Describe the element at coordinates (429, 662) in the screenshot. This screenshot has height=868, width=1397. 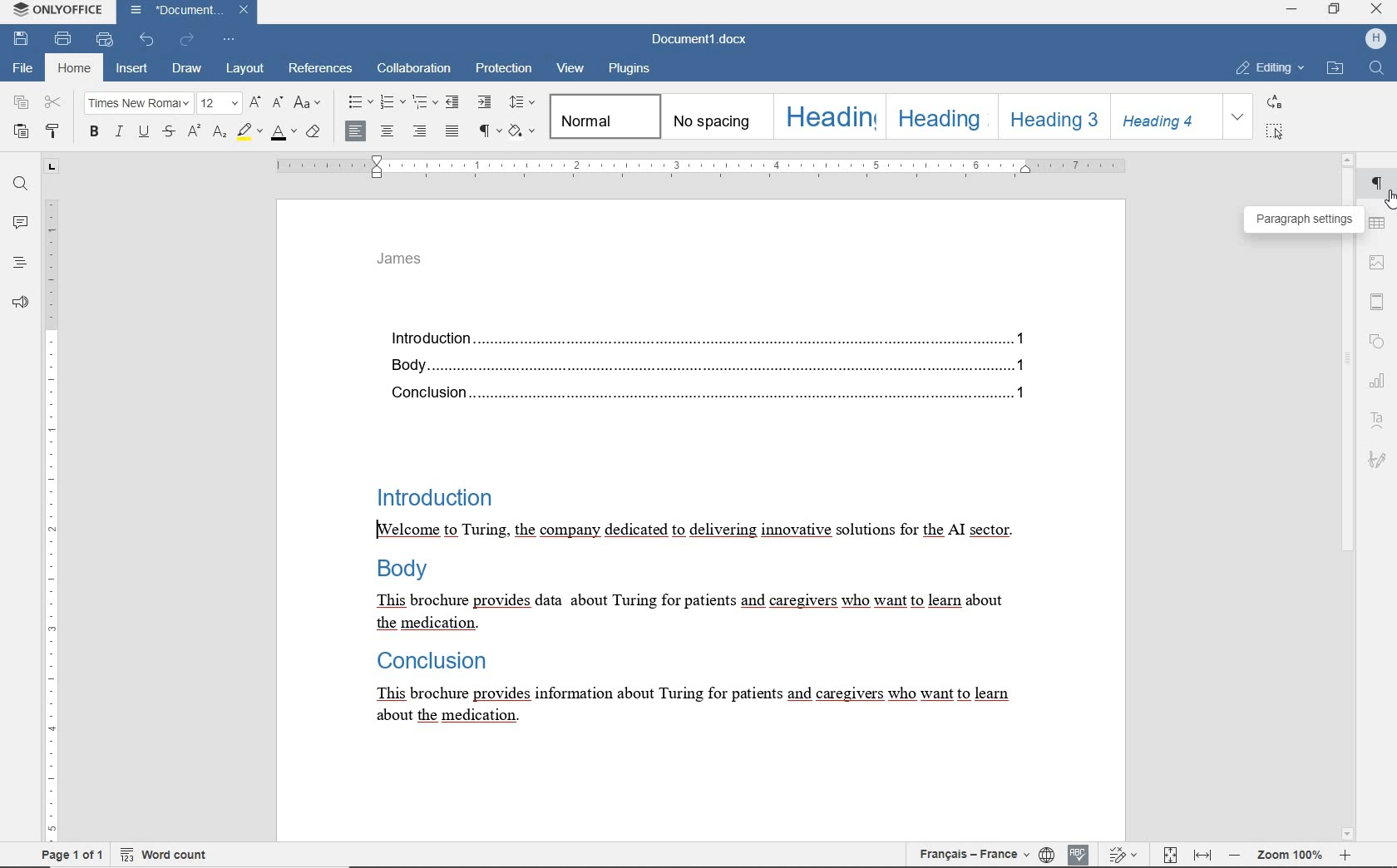
I see `Conclusion` at that location.